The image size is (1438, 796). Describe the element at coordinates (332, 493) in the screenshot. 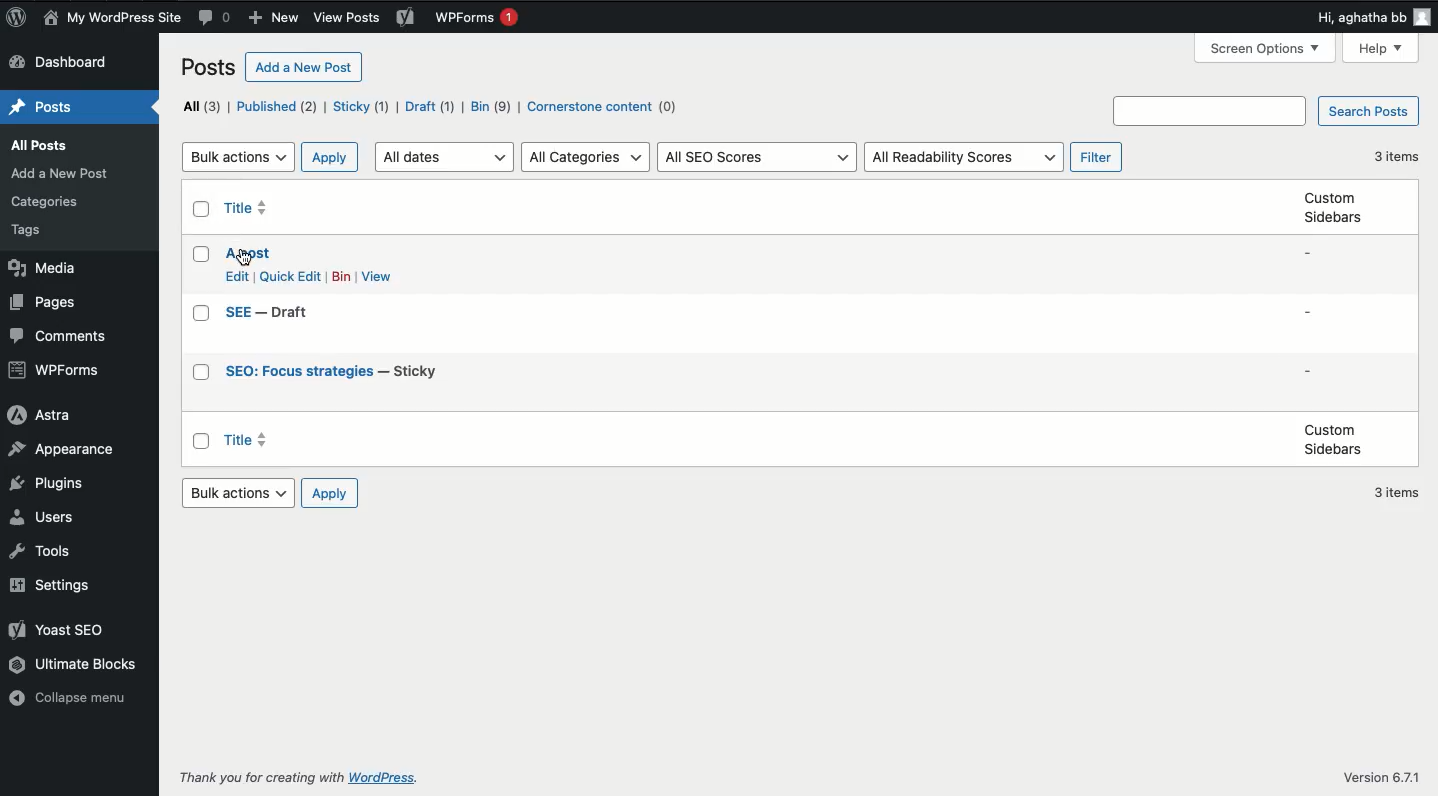

I see `Apply` at that location.